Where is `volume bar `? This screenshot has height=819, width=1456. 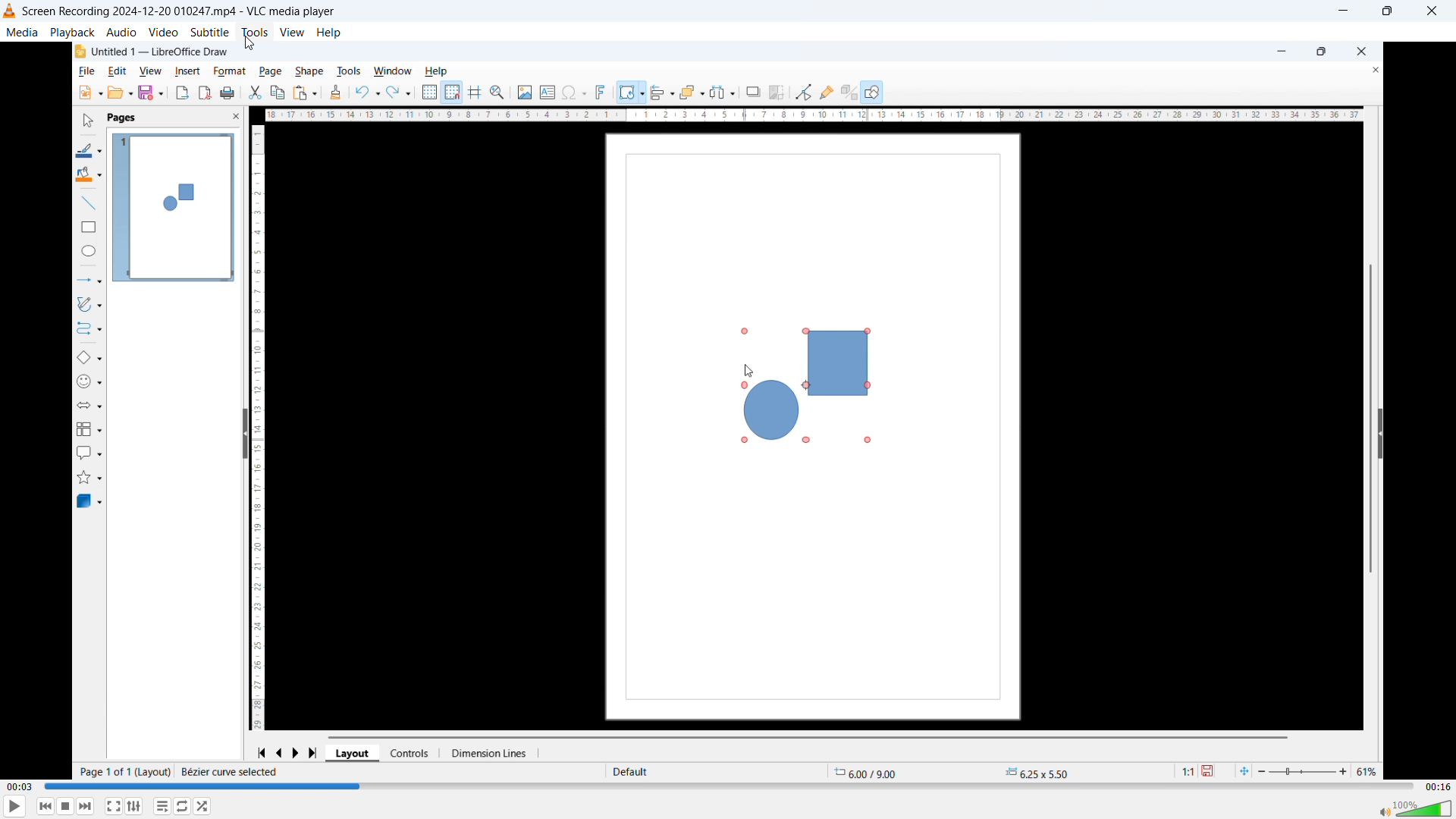 volume bar  is located at coordinates (1416, 808).